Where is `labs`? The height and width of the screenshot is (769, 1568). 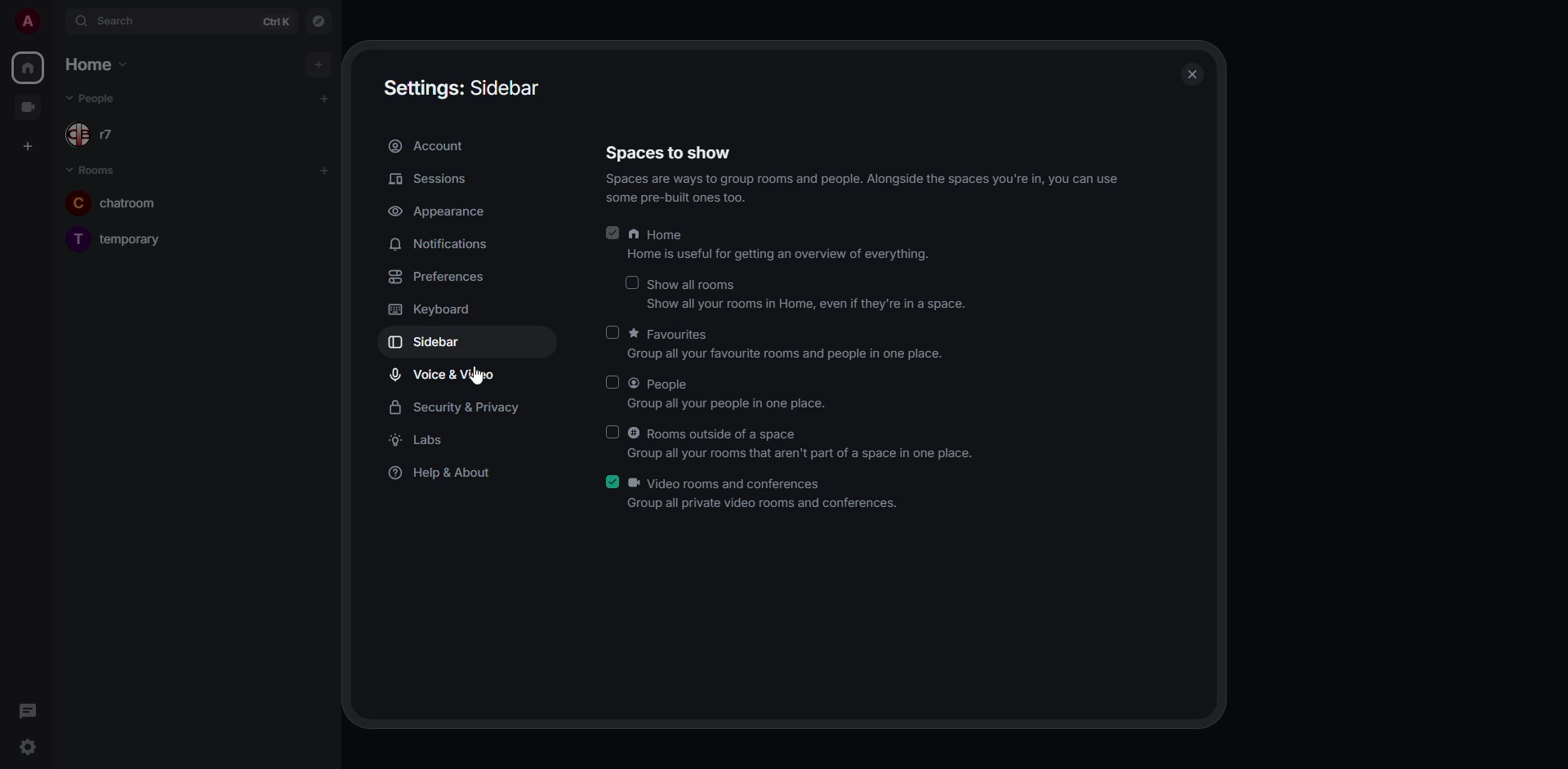
labs is located at coordinates (425, 441).